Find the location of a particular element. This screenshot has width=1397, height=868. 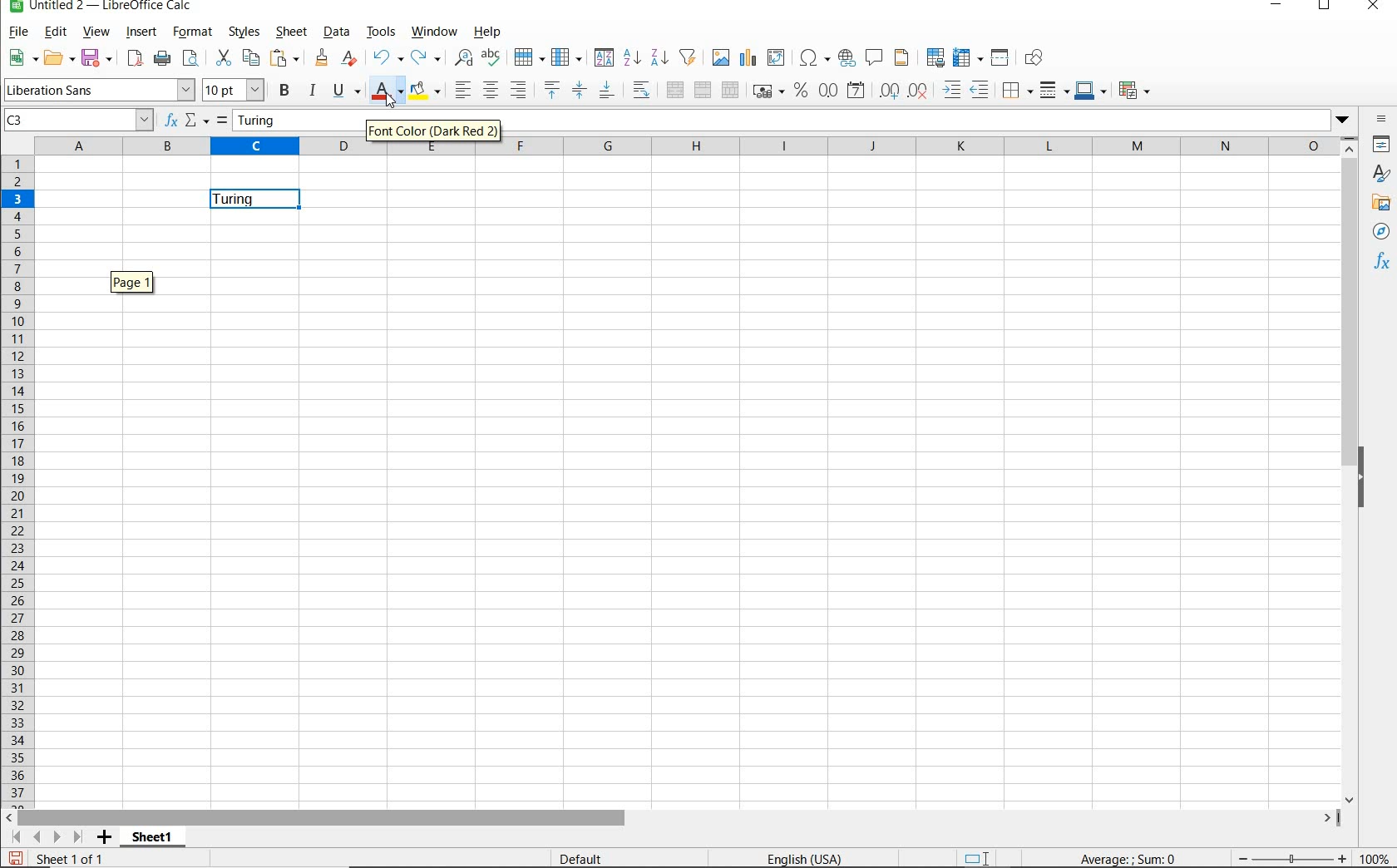

SHEET 1 is located at coordinates (155, 838).